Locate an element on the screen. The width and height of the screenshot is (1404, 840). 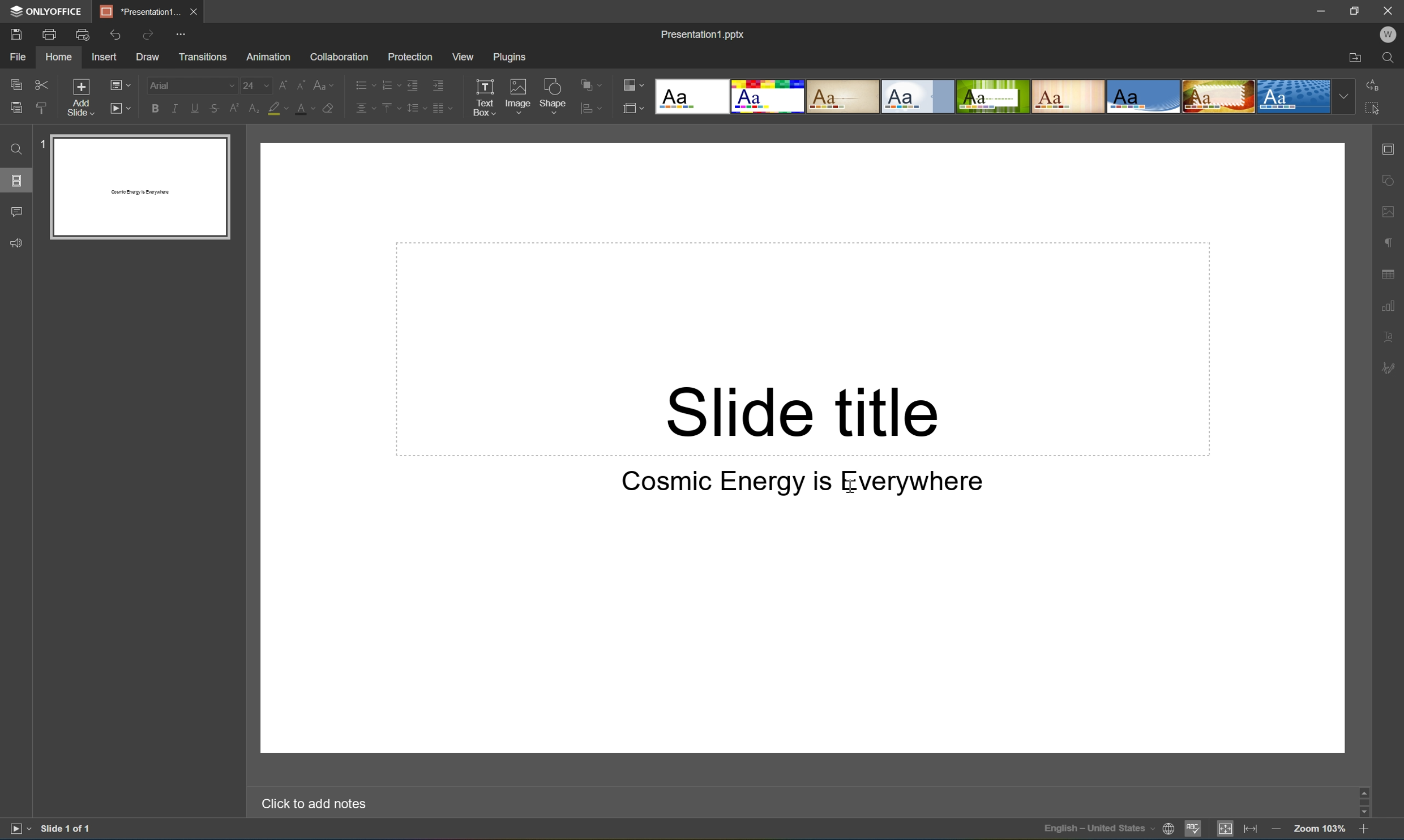
Slides is located at coordinates (18, 178).